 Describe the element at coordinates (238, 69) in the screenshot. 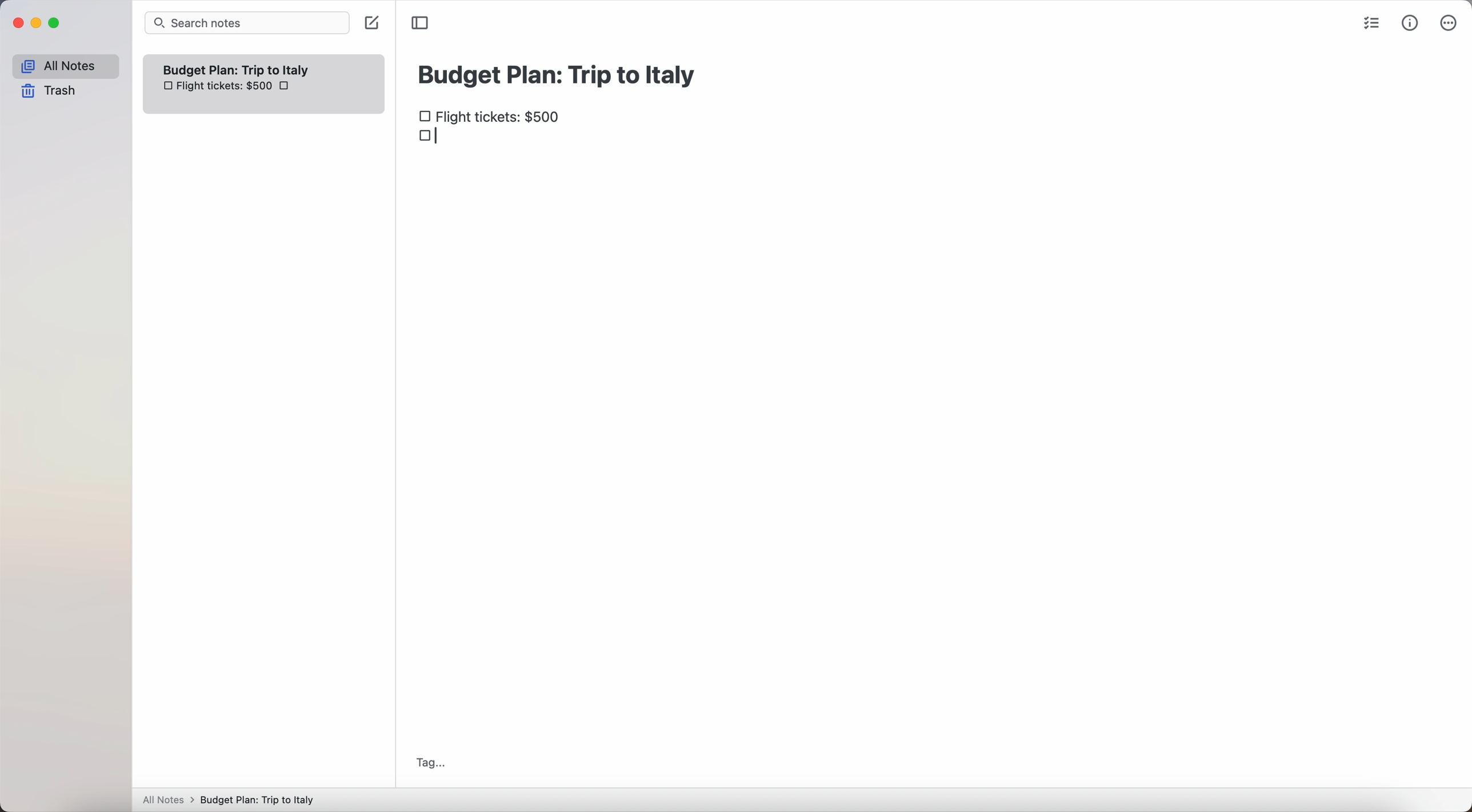

I see `Budget plan trip to Italy note` at that location.